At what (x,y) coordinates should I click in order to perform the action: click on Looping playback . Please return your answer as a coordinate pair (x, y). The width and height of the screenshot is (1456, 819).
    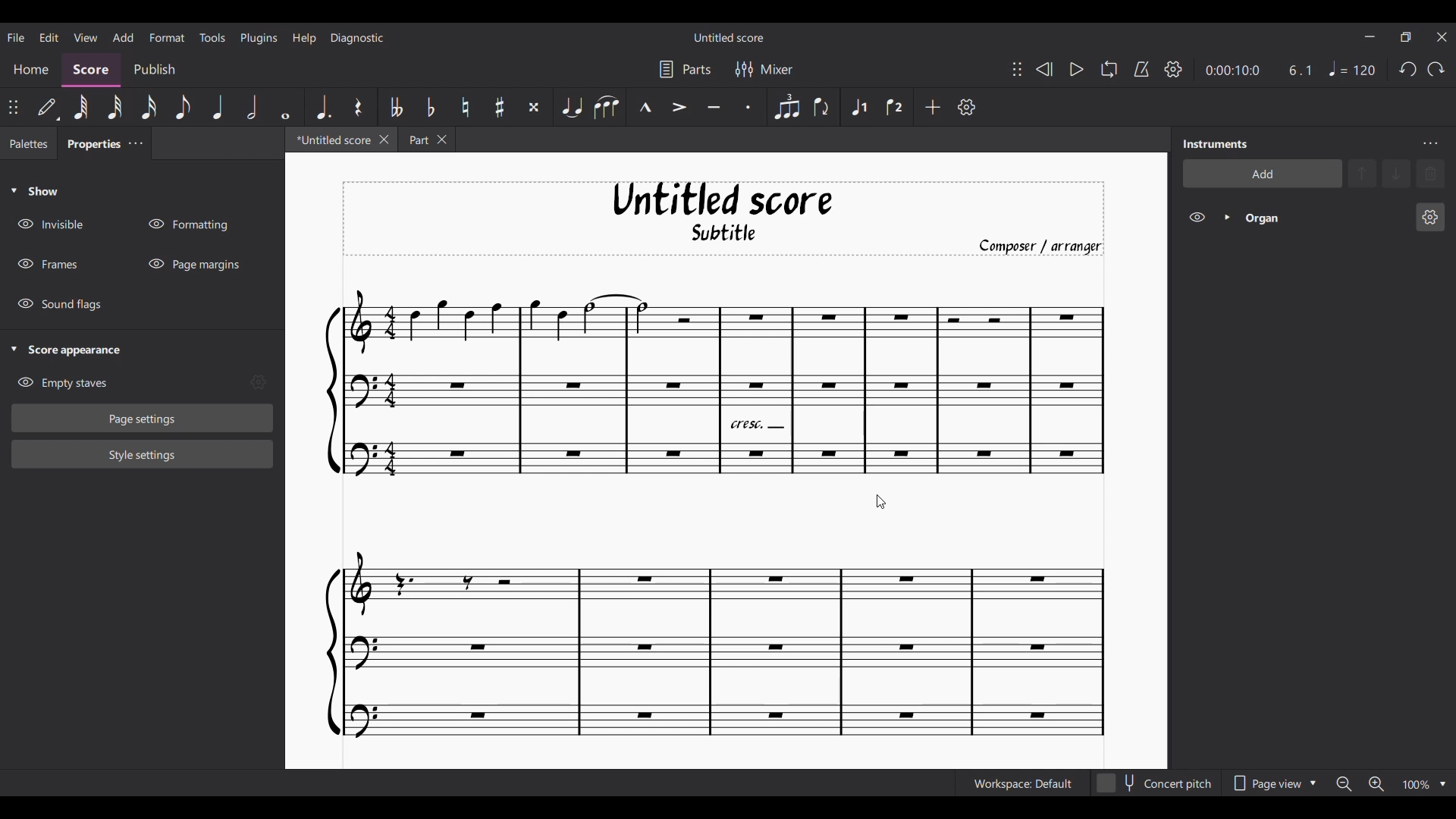
    Looking at the image, I should click on (1109, 69).